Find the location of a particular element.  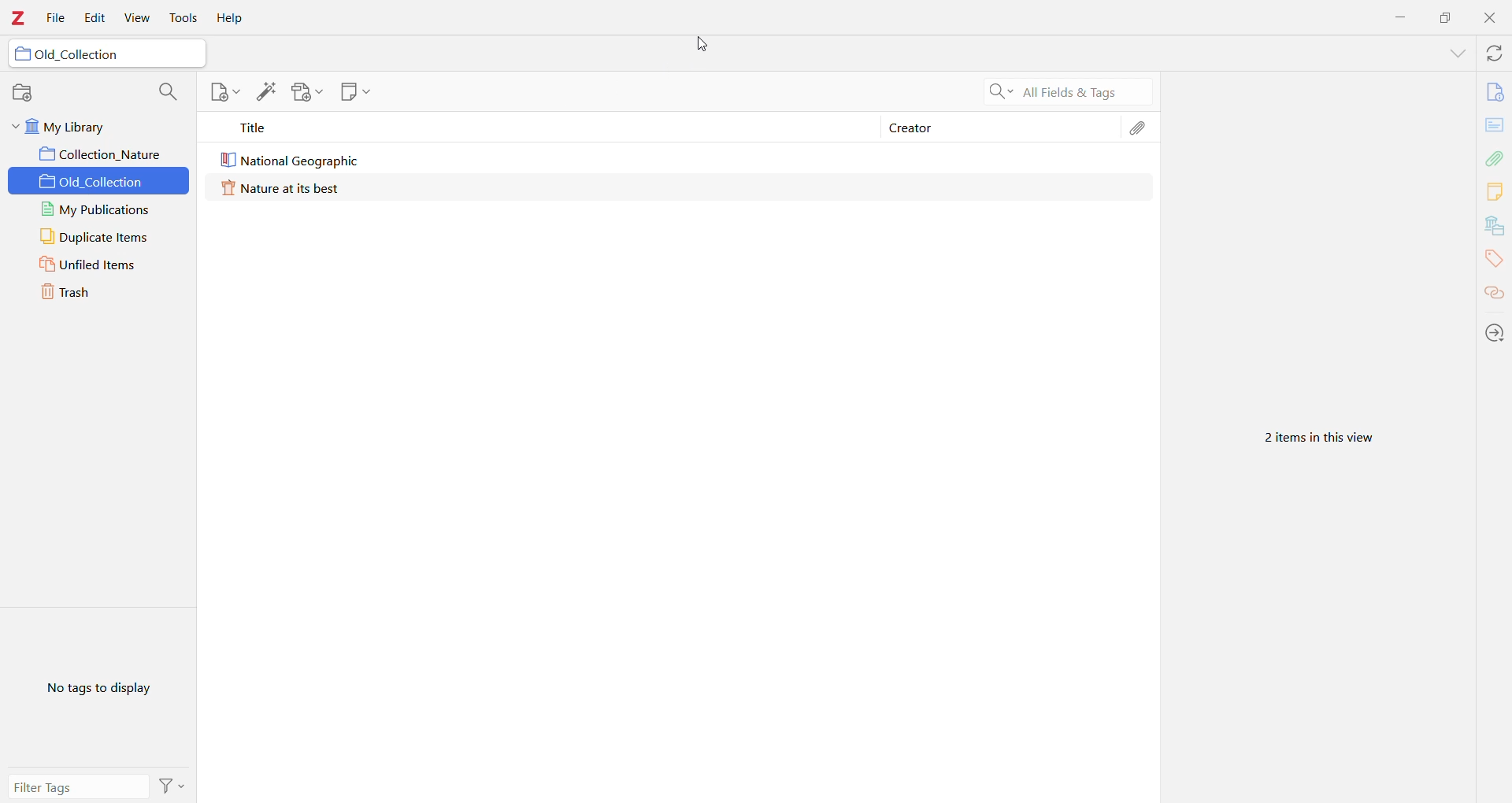

Nature at its best is located at coordinates (290, 187).